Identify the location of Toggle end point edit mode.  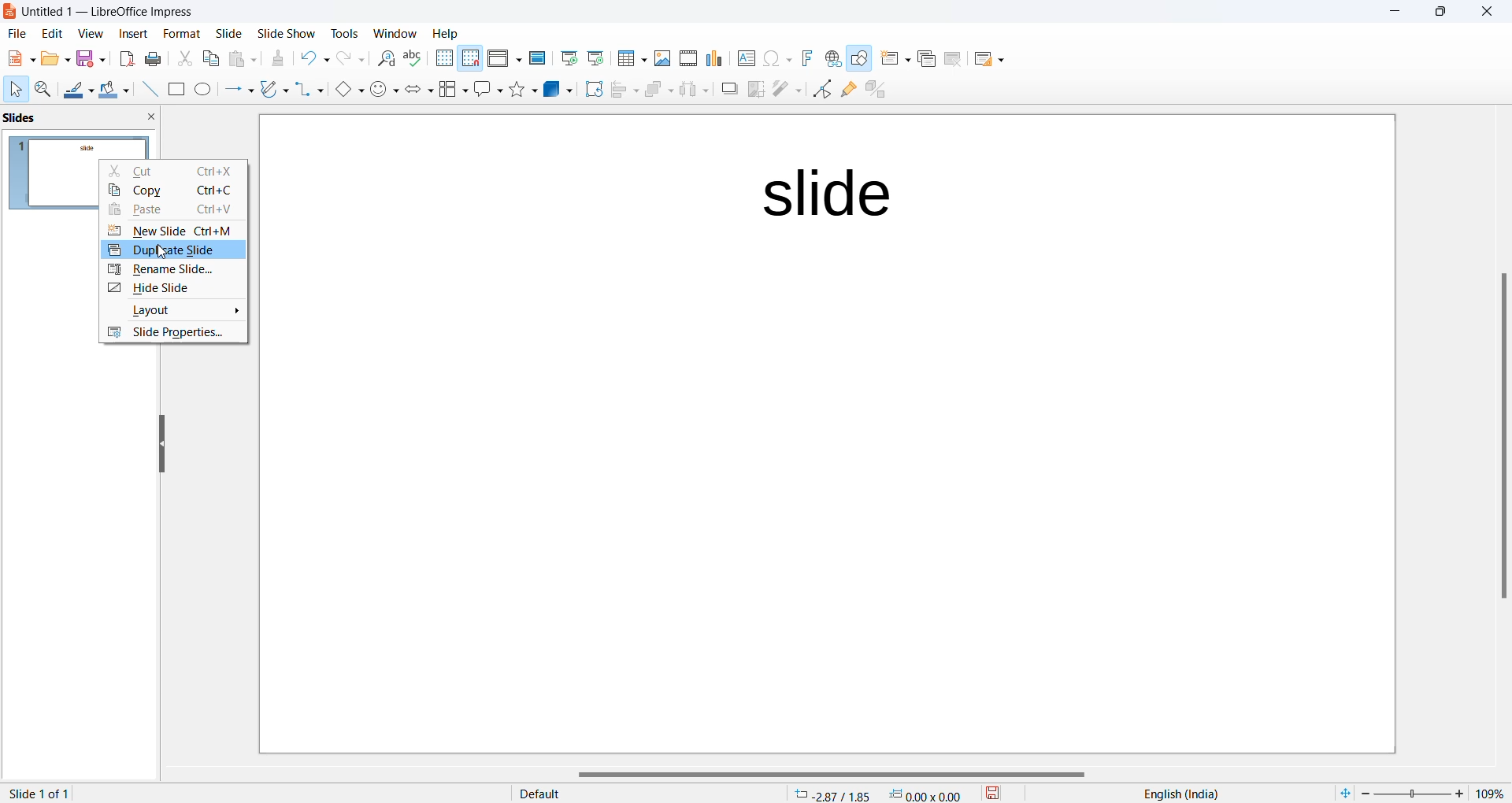
(820, 90).